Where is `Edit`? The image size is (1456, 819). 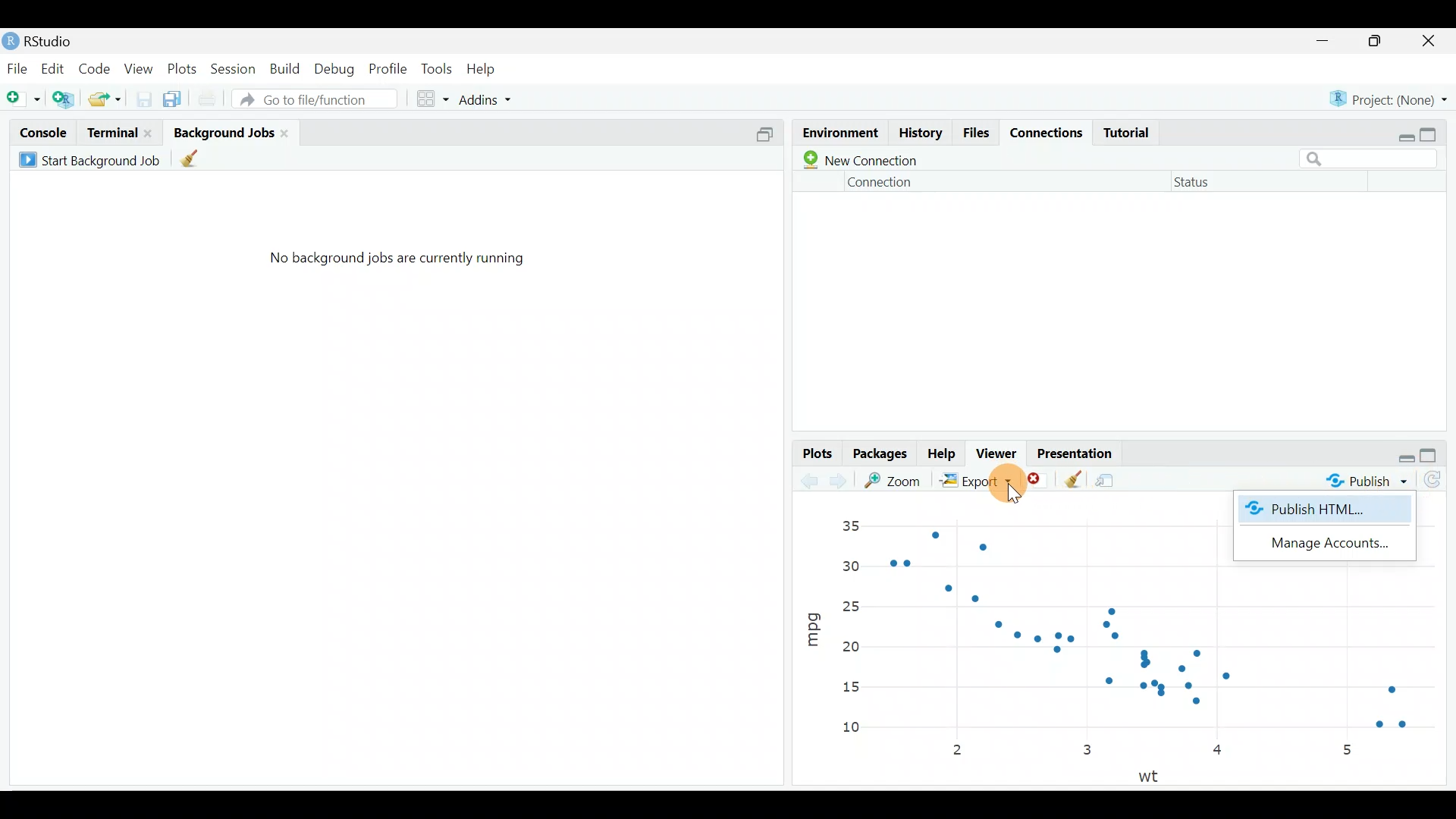 Edit is located at coordinates (52, 67).